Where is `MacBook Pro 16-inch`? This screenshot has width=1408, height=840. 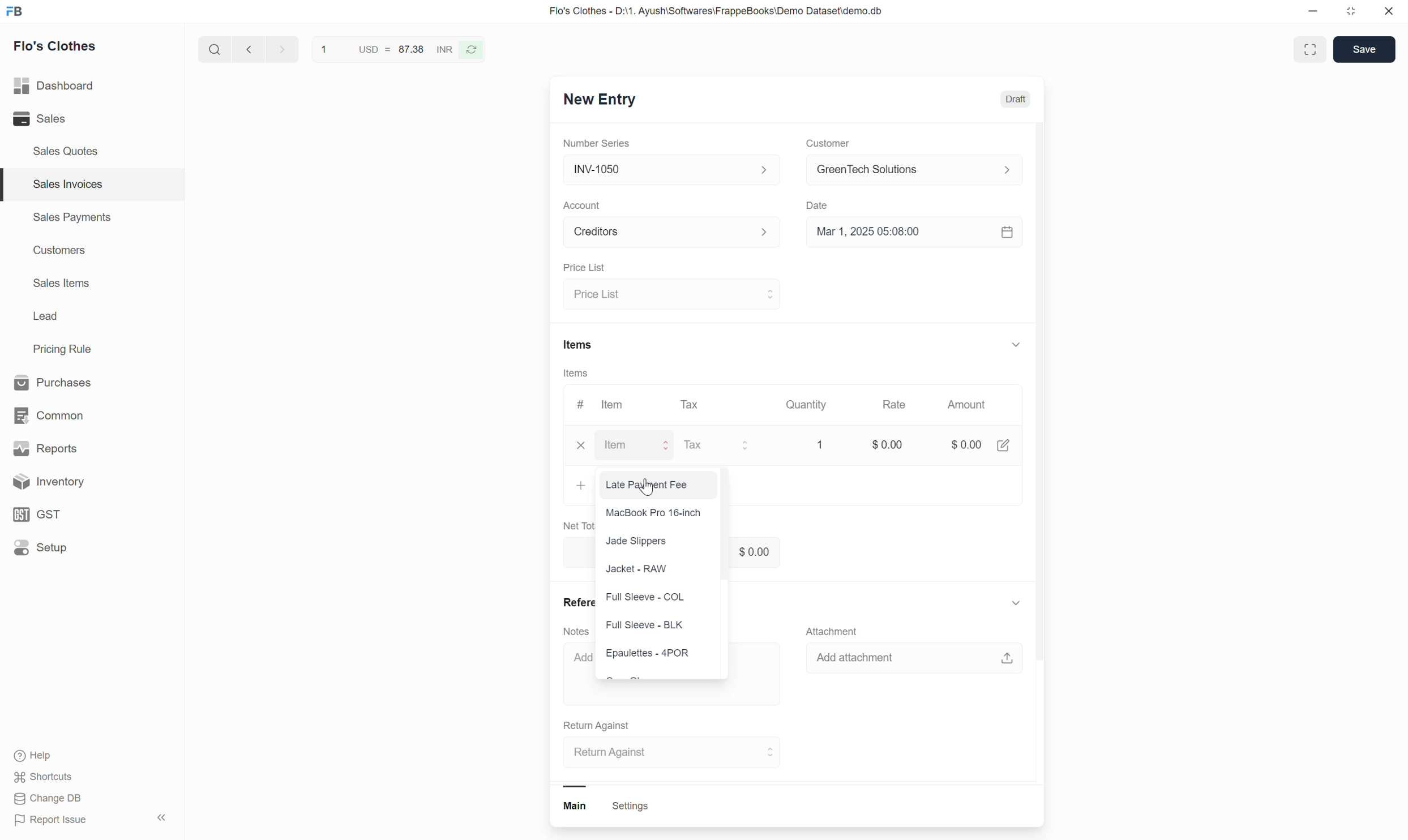 MacBook Pro 16-inch is located at coordinates (654, 515).